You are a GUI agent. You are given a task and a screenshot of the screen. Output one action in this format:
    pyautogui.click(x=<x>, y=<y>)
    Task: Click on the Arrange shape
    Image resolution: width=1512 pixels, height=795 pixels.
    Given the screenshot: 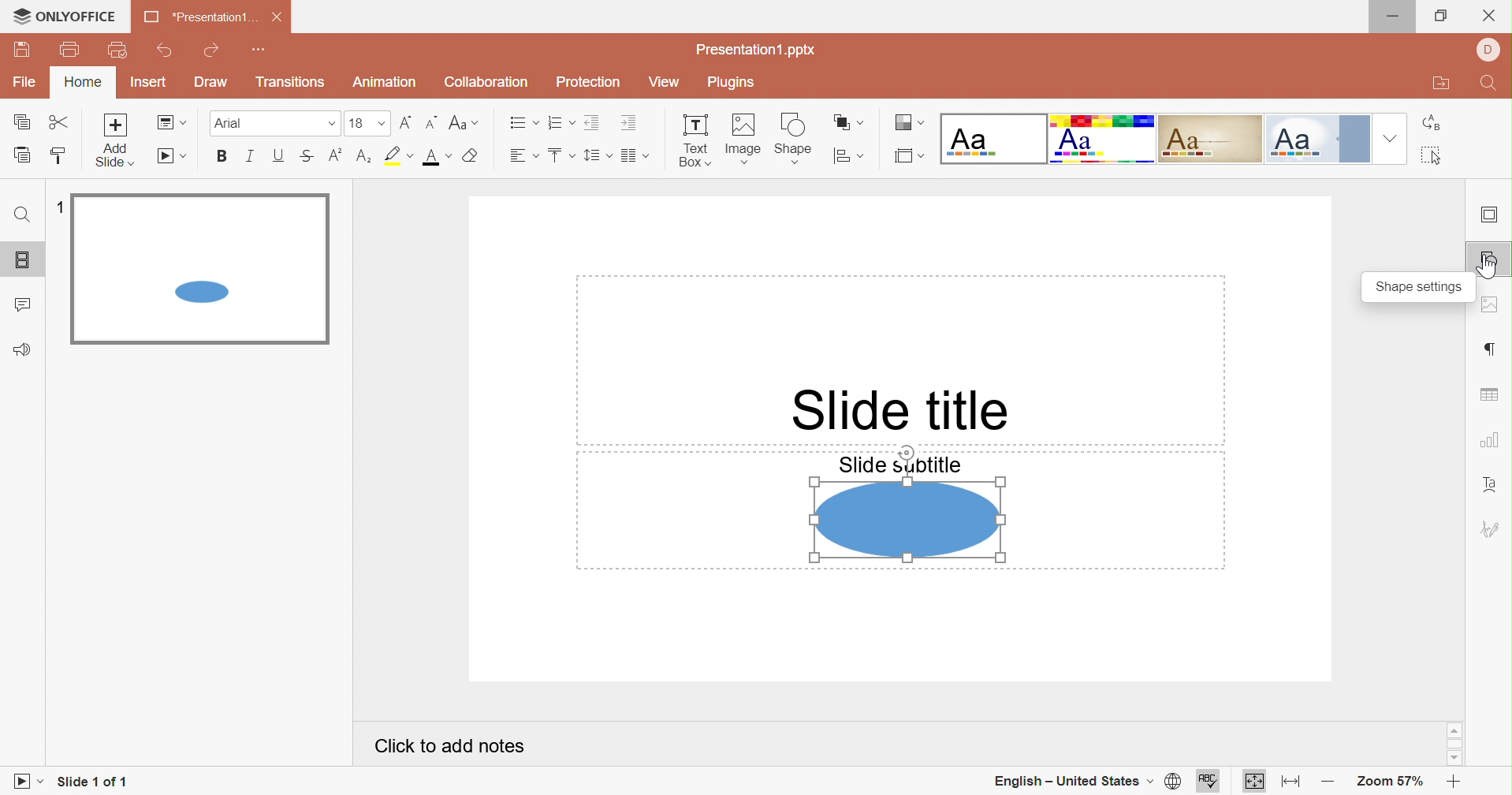 What is the action you would take?
    pyautogui.click(x=847, y=121)
    